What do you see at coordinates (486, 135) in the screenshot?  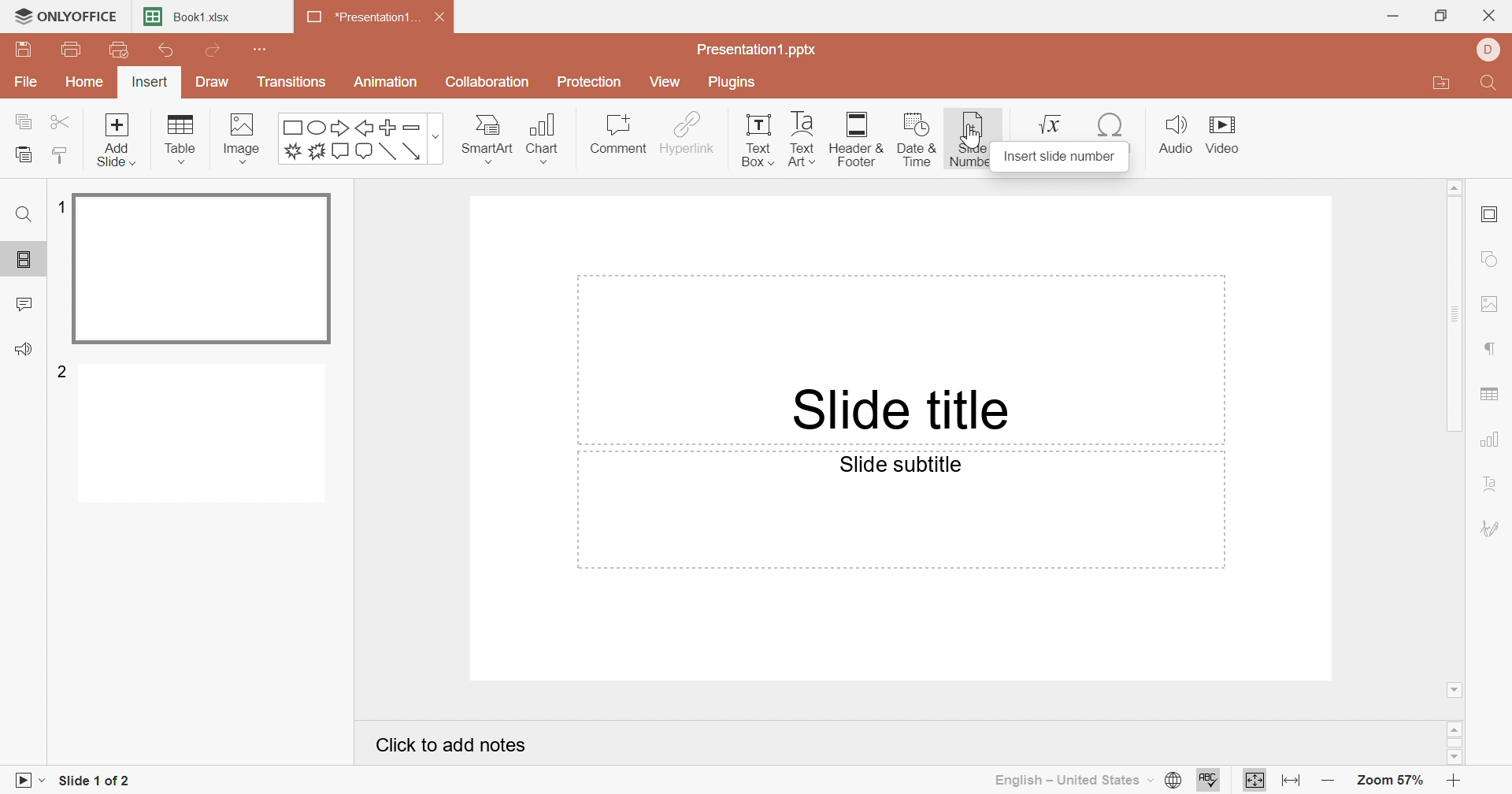 I see `Smart` at bounding box center [486, 135].